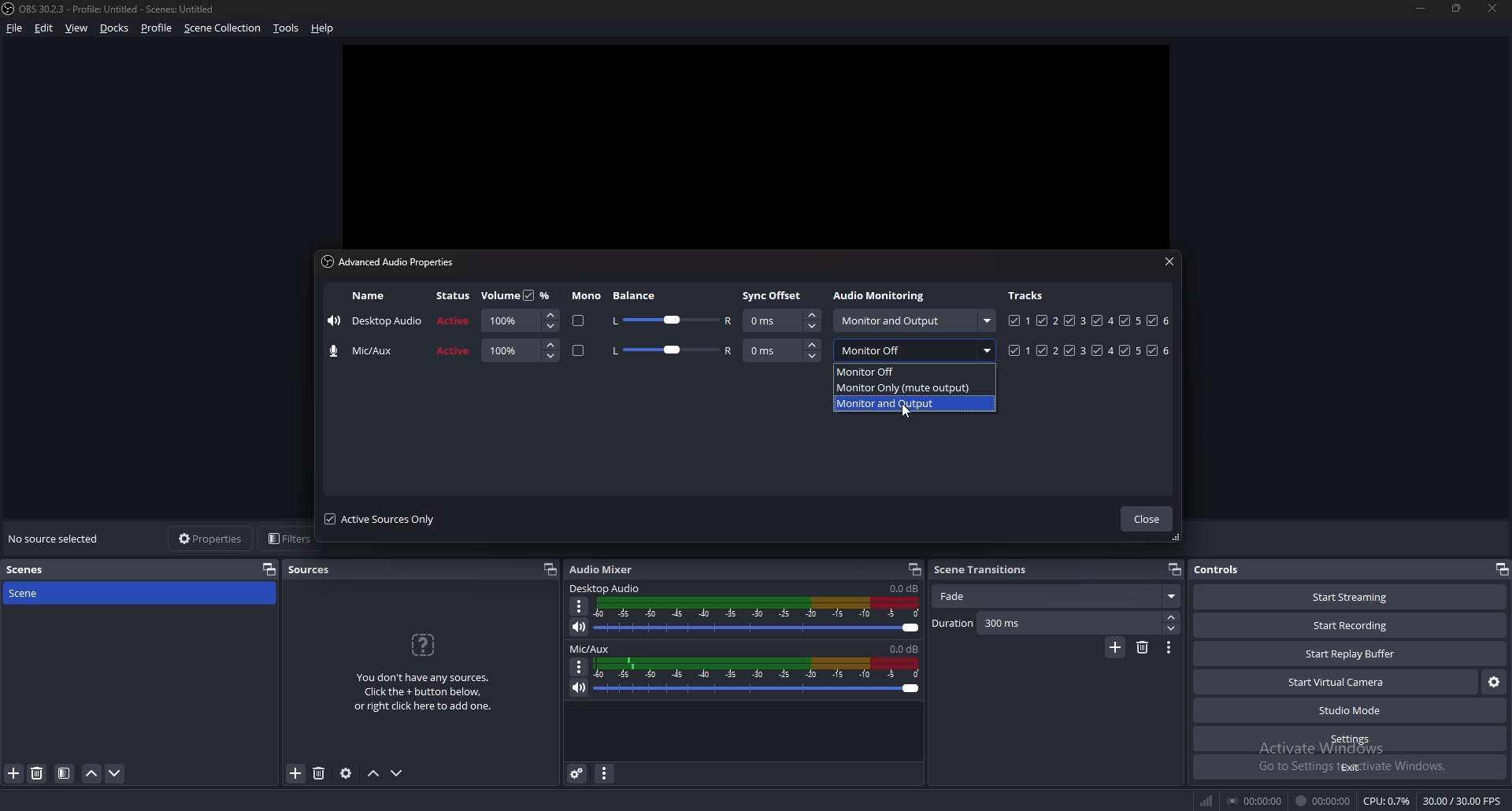 This screenshot has height=811, width=1512. What do you see at coordinates (65, 773) in the screenshot?
I see `filter` at bounding box center [65, 773].